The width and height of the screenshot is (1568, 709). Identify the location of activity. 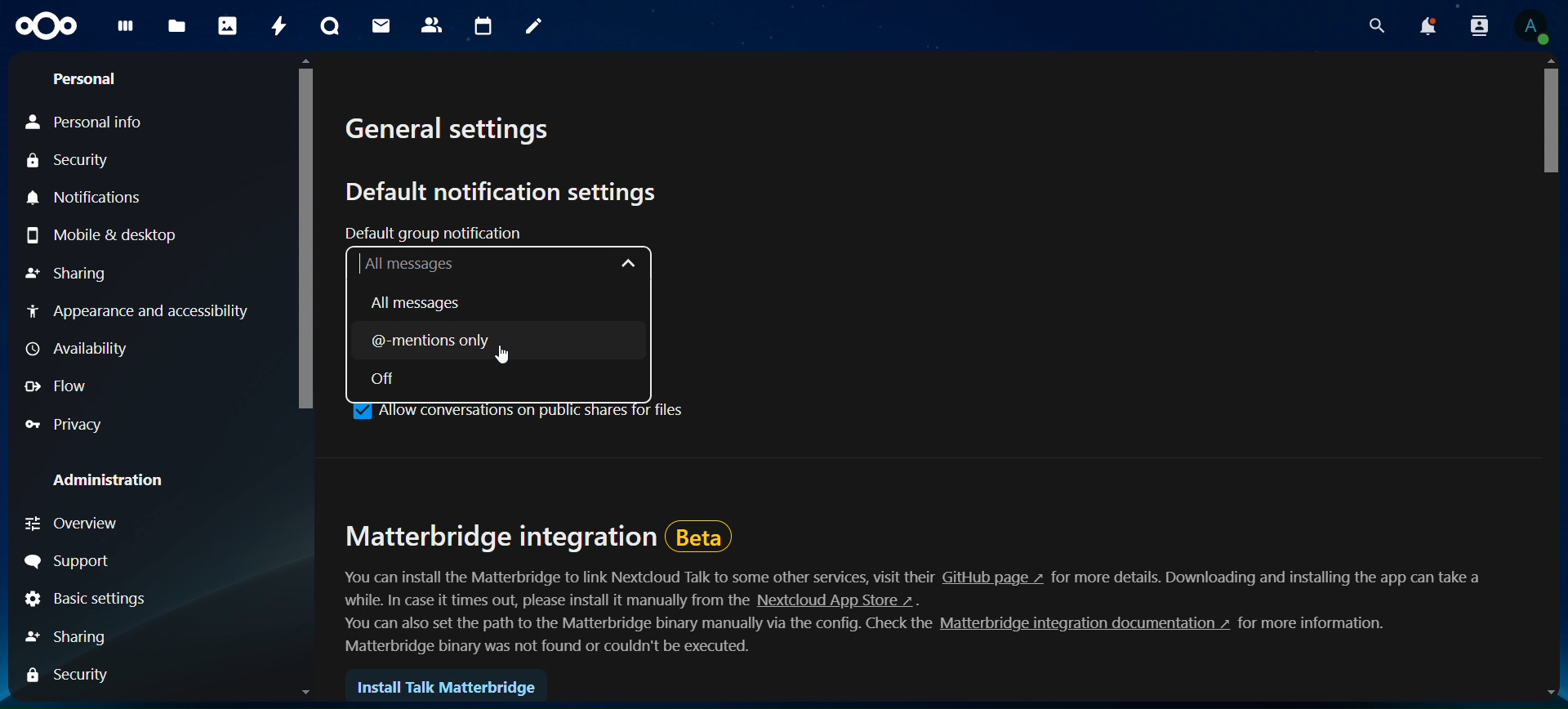
(279, 23).